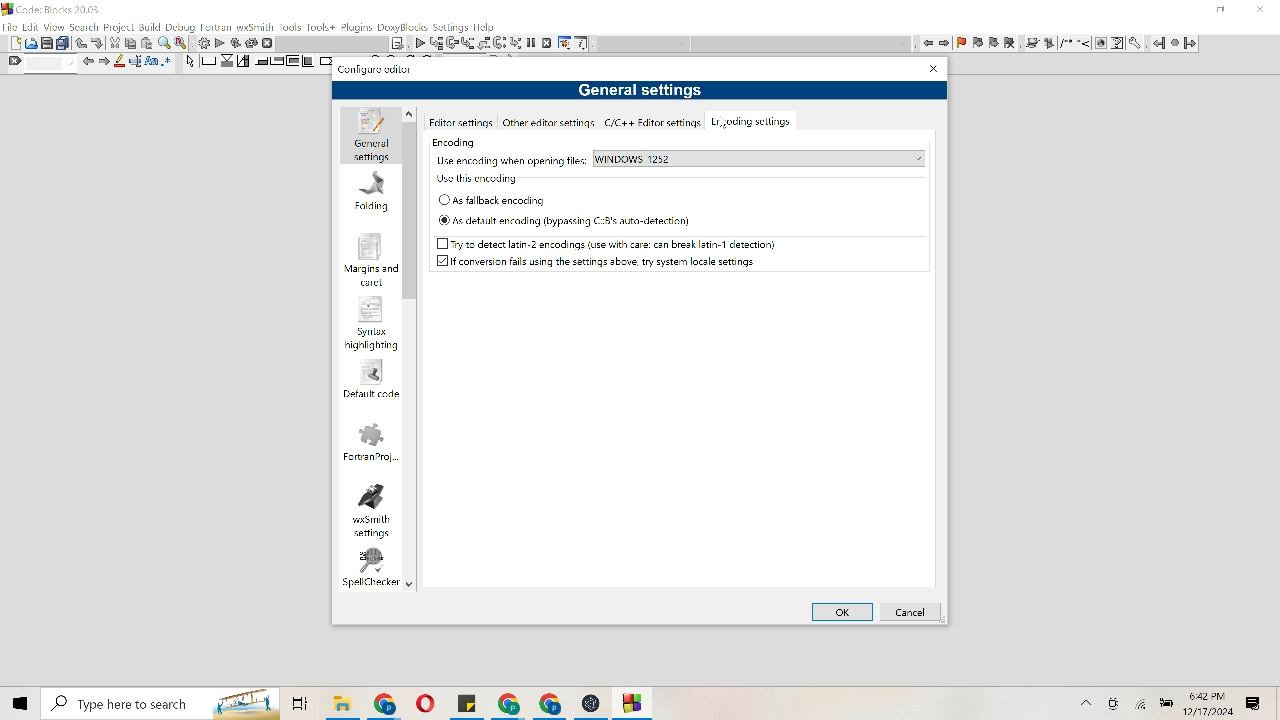 Image resolution: width=1280 pixels, height=720 pixels. Describe the element at coordinates (564, 220) in the screenshot. I see `As default encoding` at that location.